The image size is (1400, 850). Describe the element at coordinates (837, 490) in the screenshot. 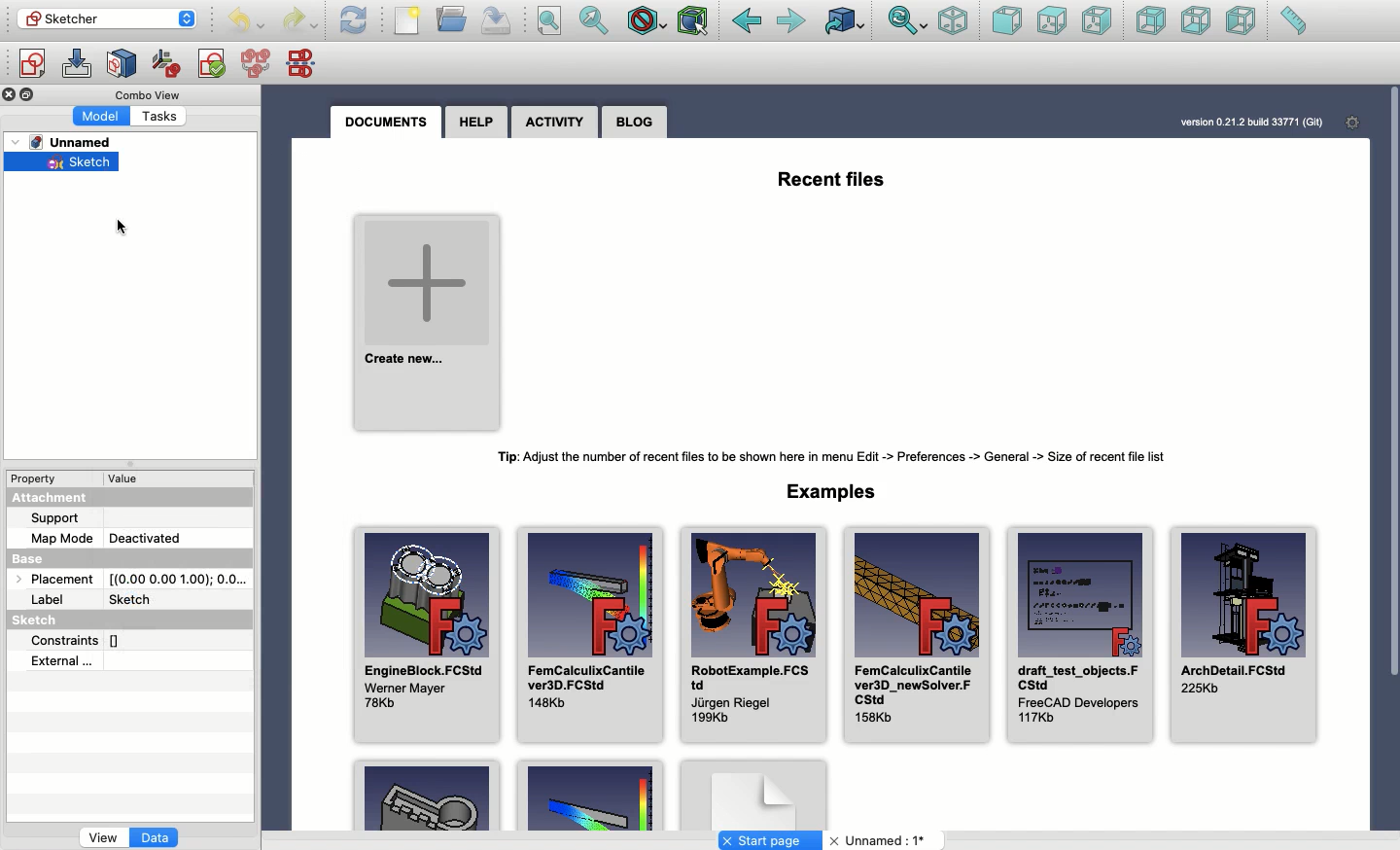

I see `Examples` at that location.